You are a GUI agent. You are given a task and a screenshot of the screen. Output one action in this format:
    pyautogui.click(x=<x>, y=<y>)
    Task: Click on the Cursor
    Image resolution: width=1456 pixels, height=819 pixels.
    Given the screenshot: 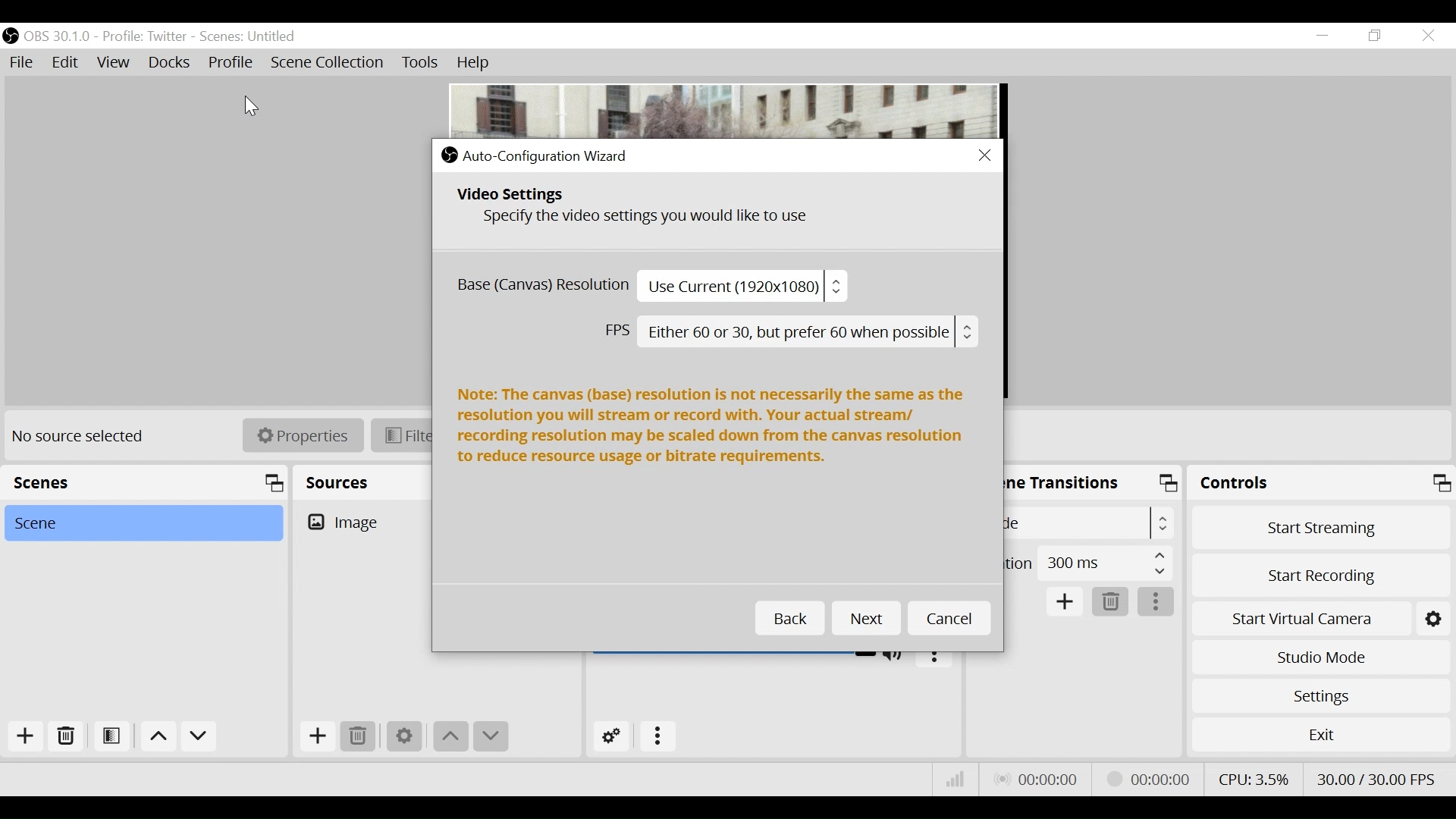 What is the action you would take?
    pyautogui.click(x=248, y=102)
    